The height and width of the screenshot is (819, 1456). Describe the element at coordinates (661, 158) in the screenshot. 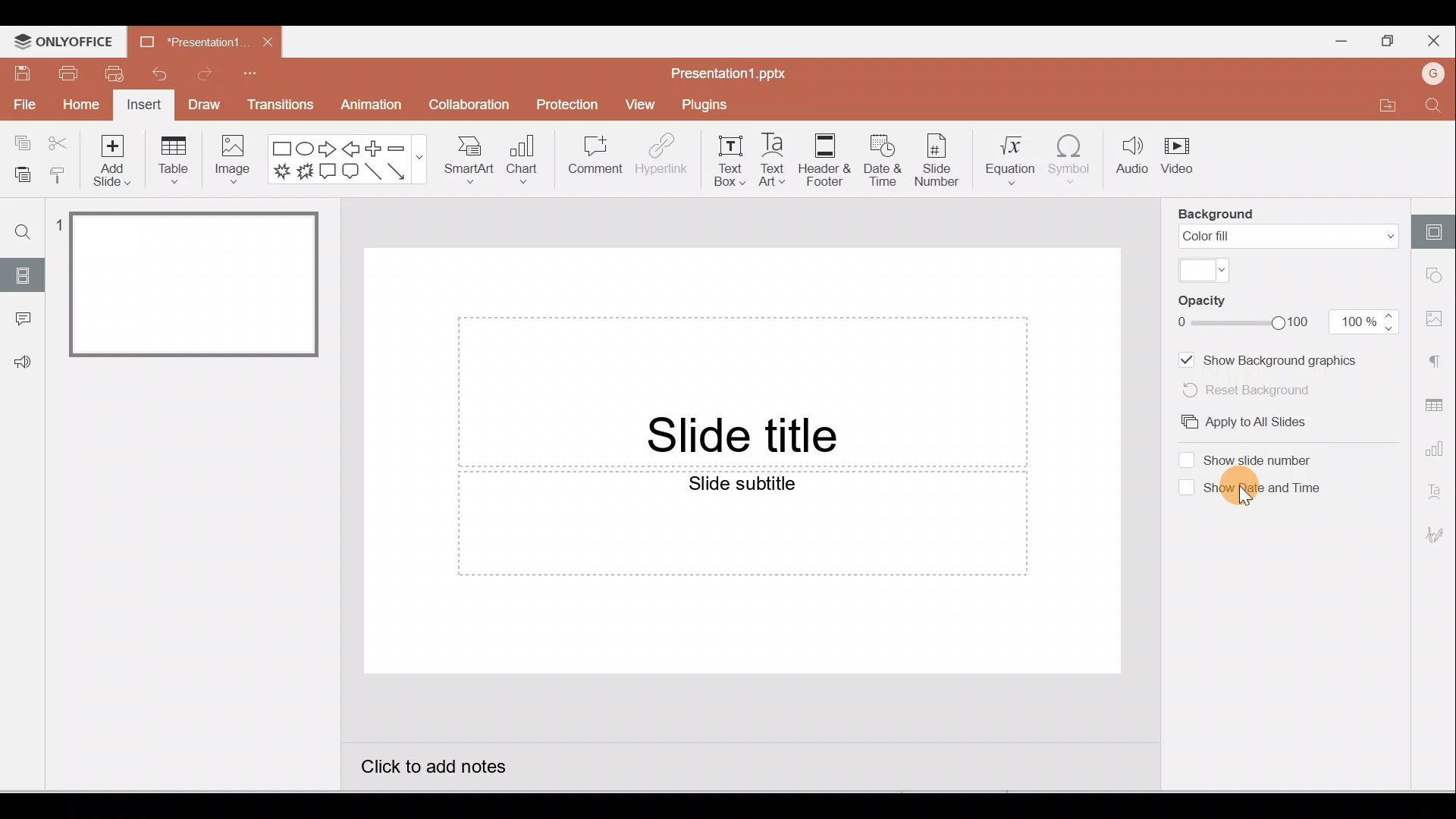

I see `Hyperlink` at that location.